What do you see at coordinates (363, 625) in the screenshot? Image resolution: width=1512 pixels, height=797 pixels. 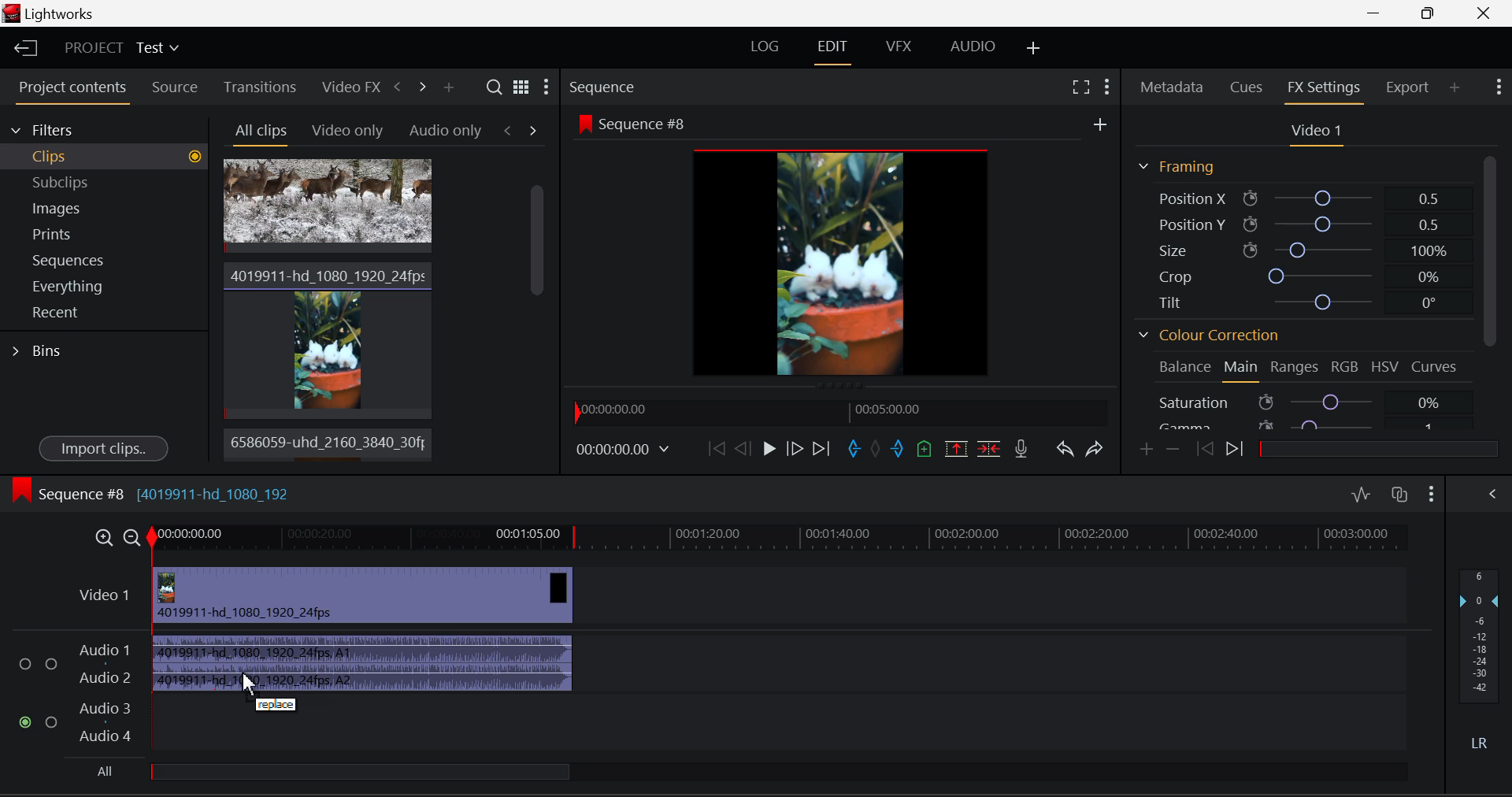 I see `Audio & Video Aligned after DRAG_TO` at bounding box center [363, 625].